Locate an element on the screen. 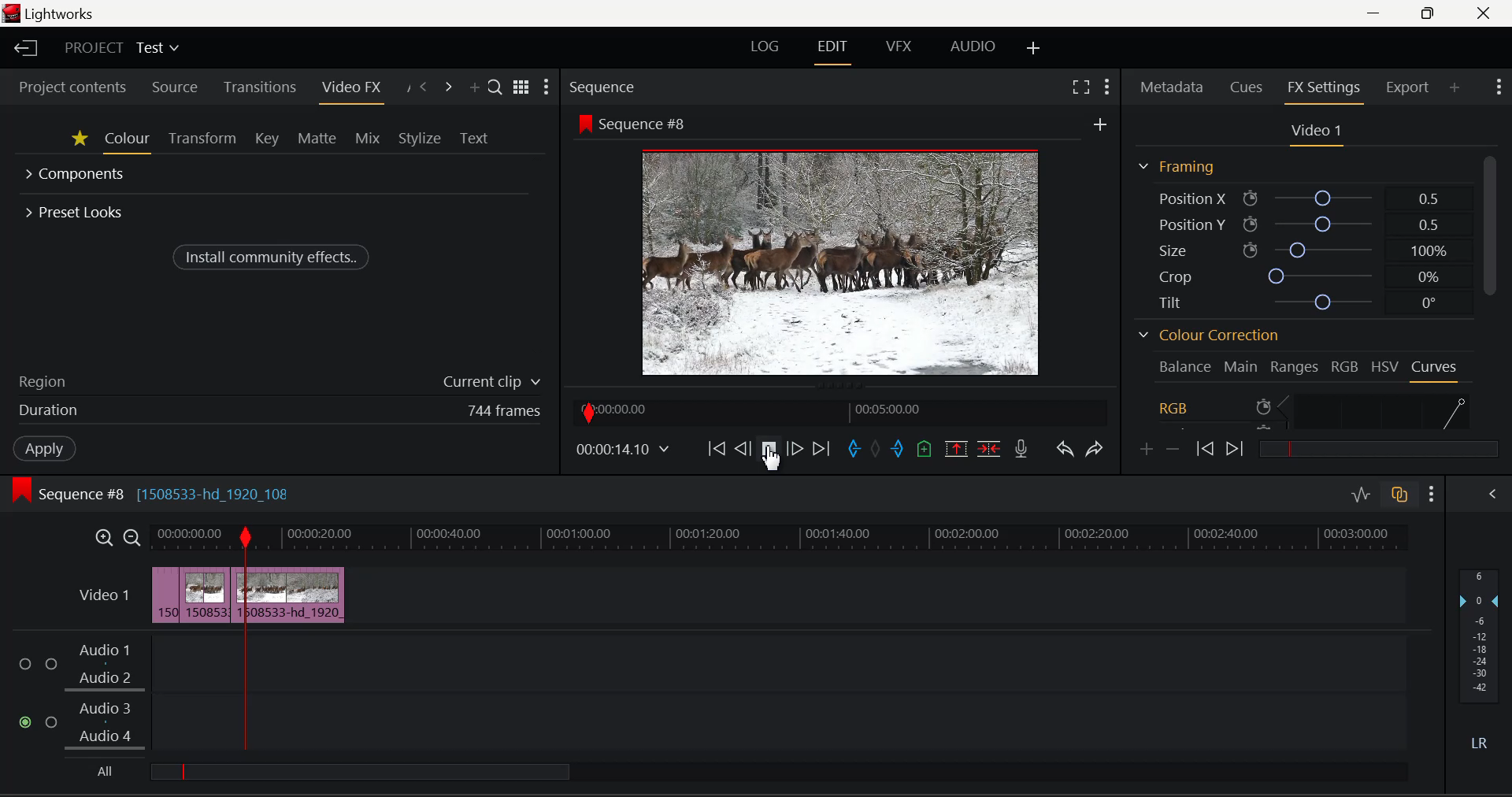 Image resolution: width=1512 pixels, height=797 pixels. Minimize is located at coordinates (1429, 13).